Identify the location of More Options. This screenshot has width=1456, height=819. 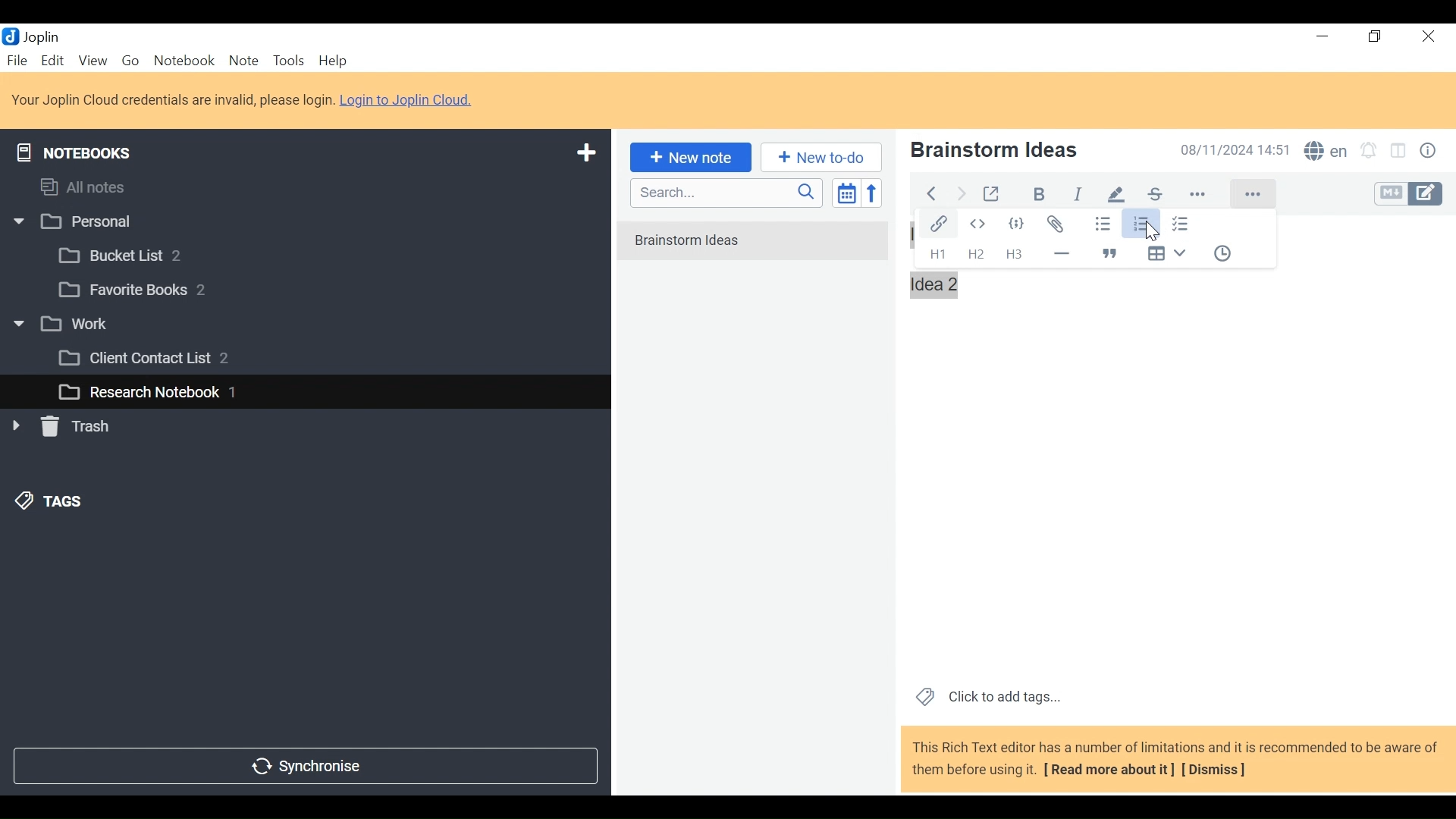
(1252, 193).